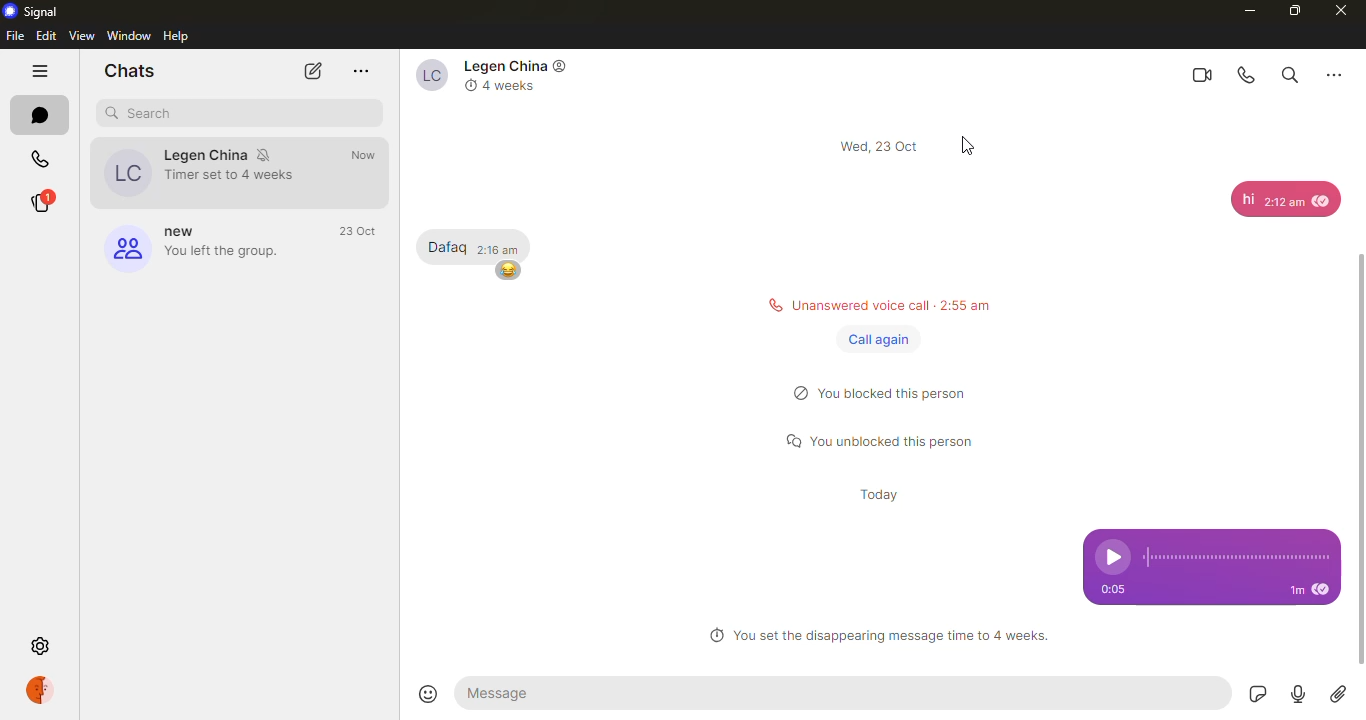 This screenshot has width=1366, height=720. Describe the element at coordinates (197, 245) in the screenshot. I see `group` at that location.